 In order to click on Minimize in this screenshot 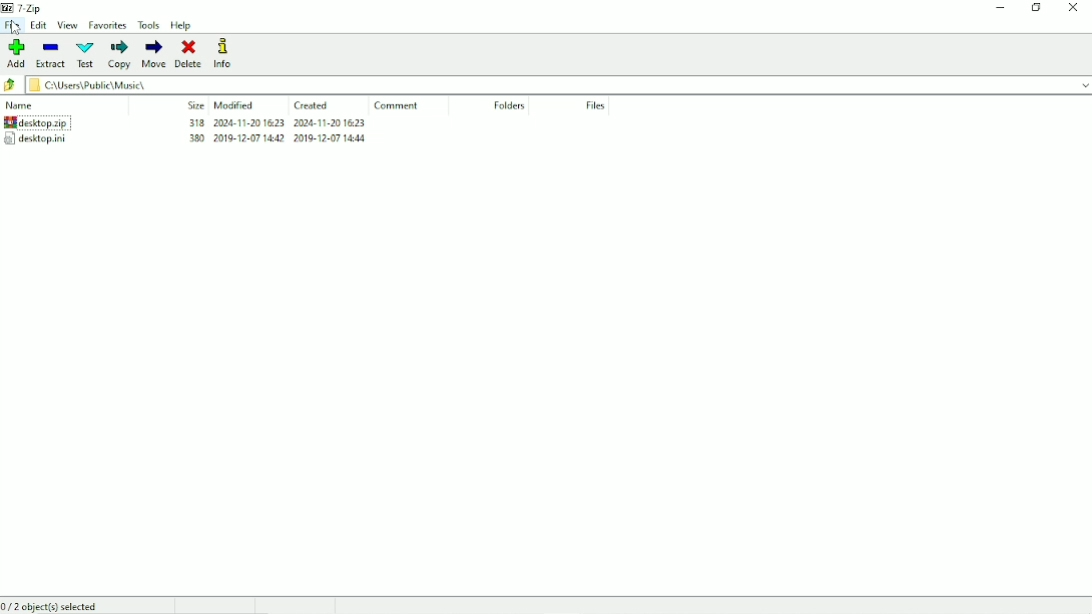, I will do `click(1001, 8)`.